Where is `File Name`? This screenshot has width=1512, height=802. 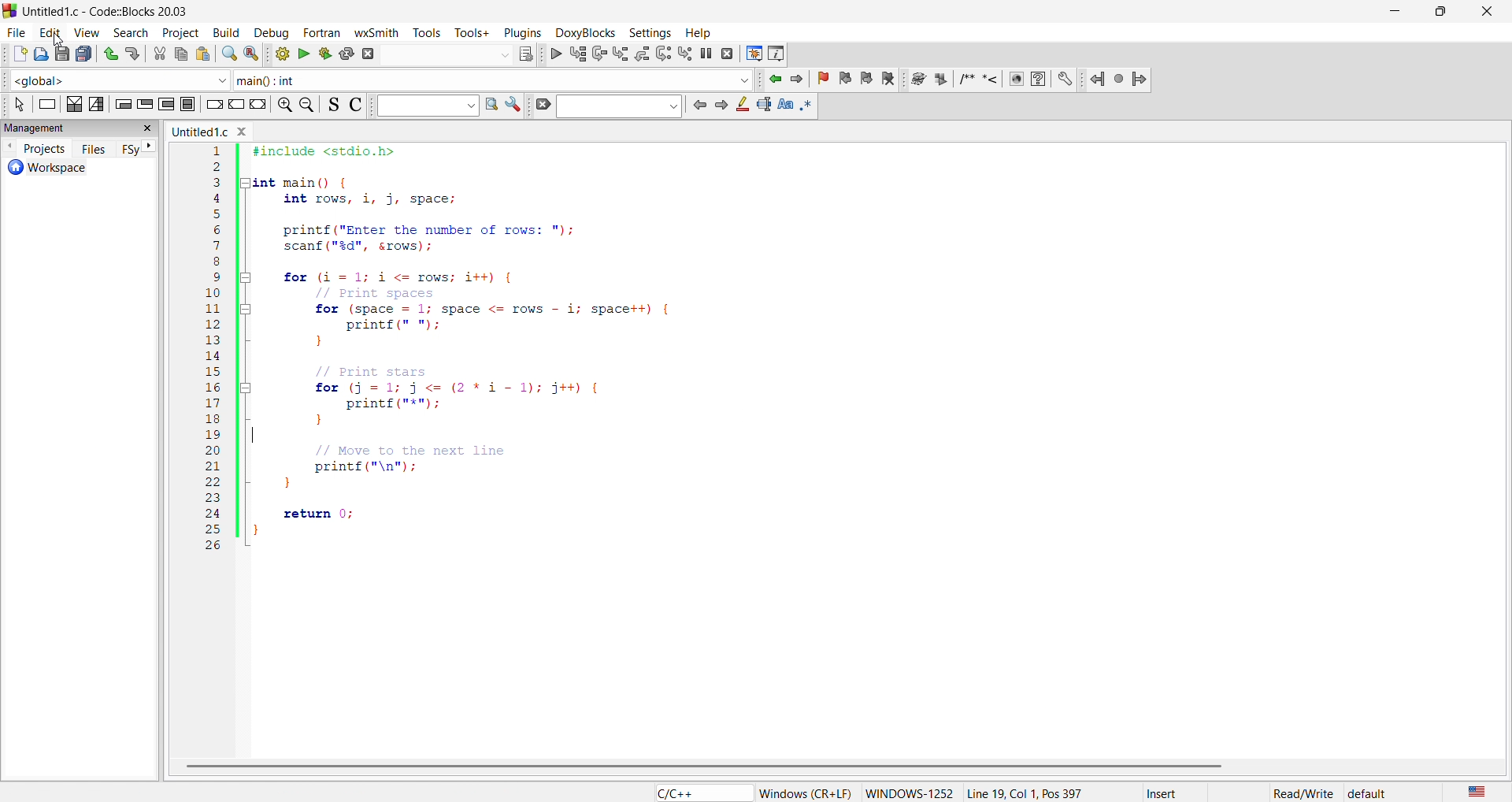 File Name is located at coordinates (54, 11).